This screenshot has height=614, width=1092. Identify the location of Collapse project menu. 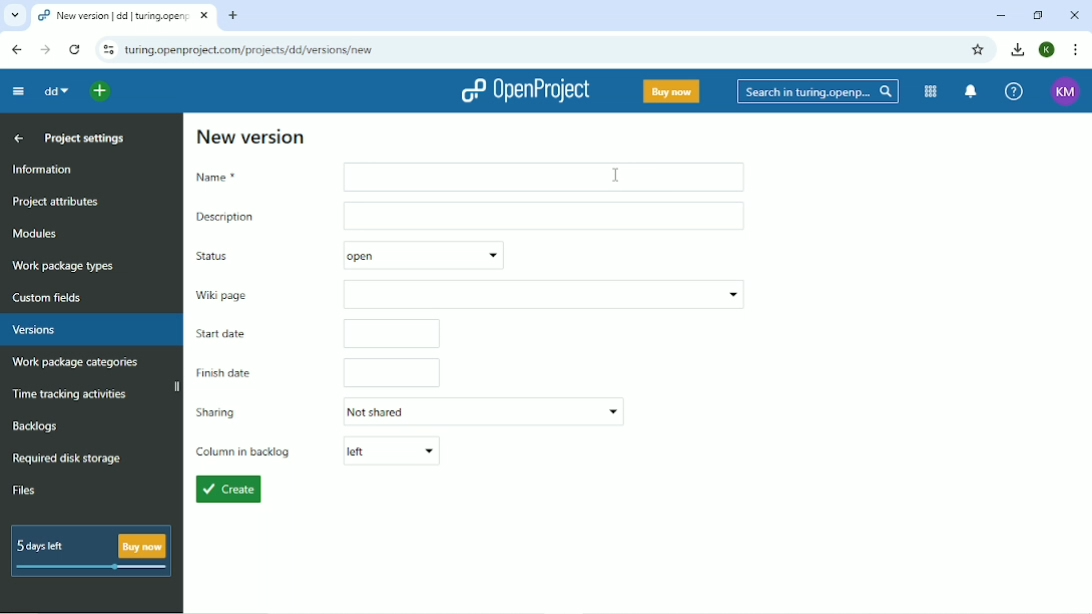
(19, 92).